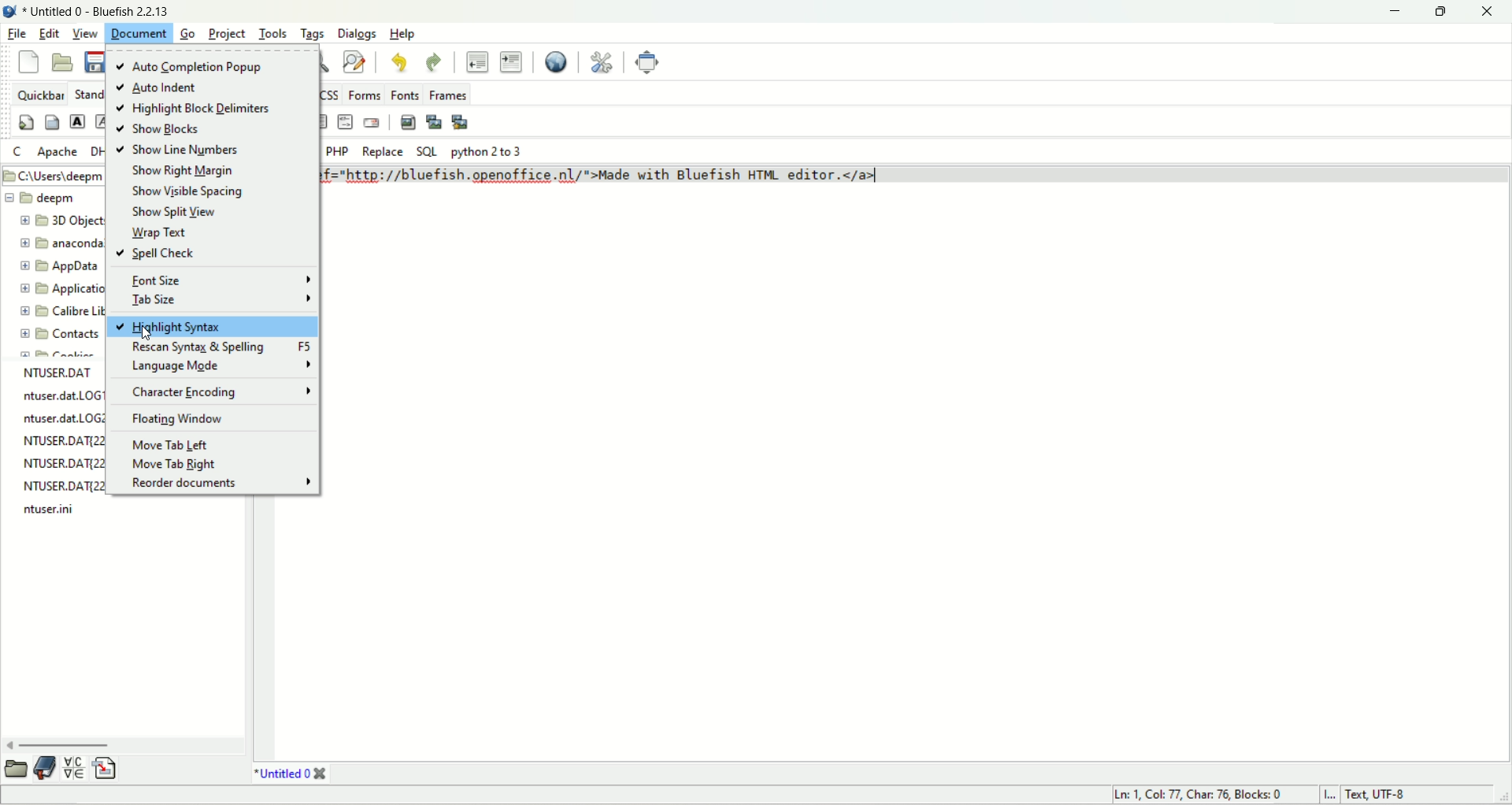  Describe the element at coordinates (170, 464) in the screenshot. I see `move tab right` at that location.